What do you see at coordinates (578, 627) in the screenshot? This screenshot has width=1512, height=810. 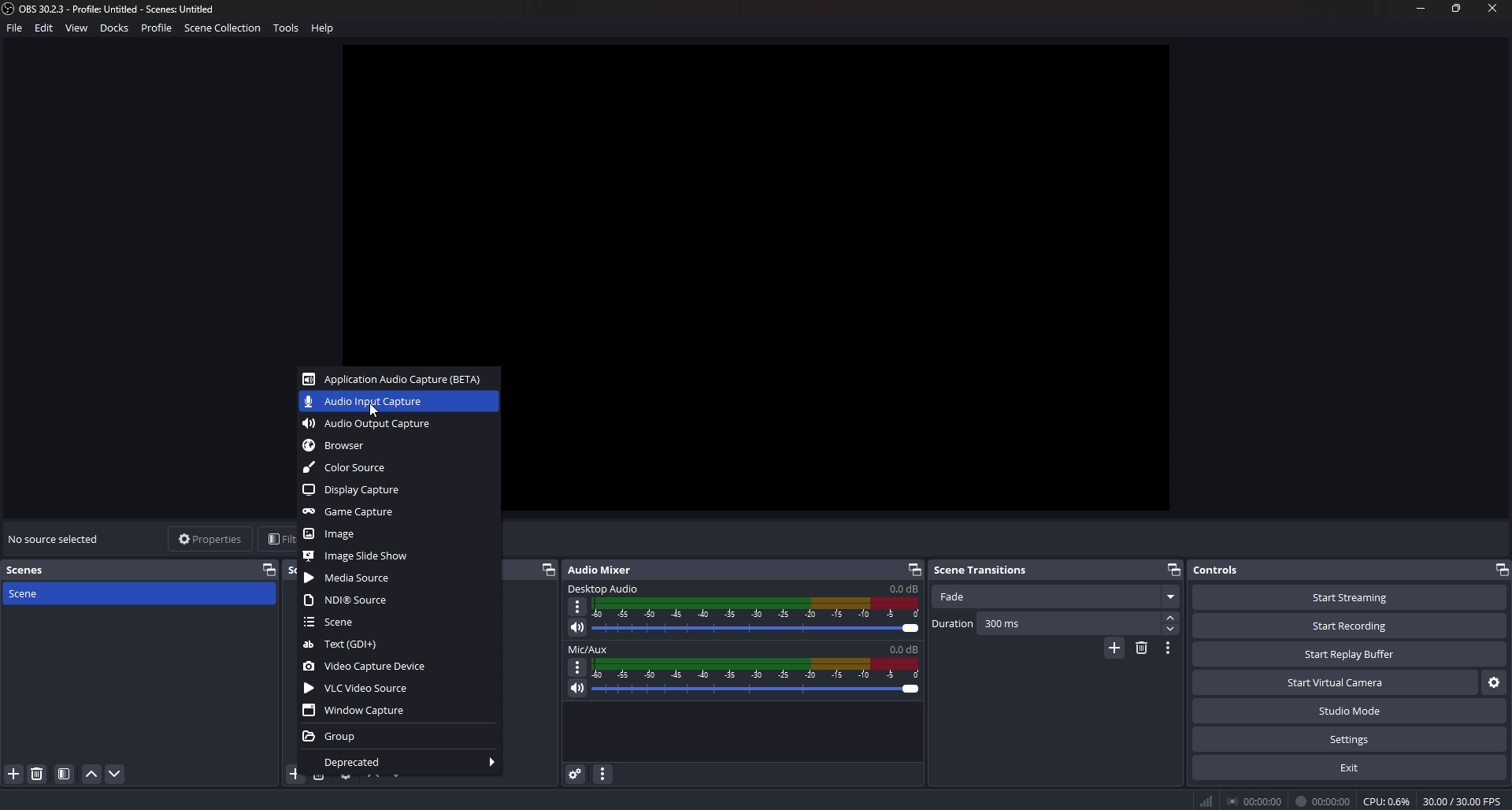 I see `mute` at bounding box center [578, 627].